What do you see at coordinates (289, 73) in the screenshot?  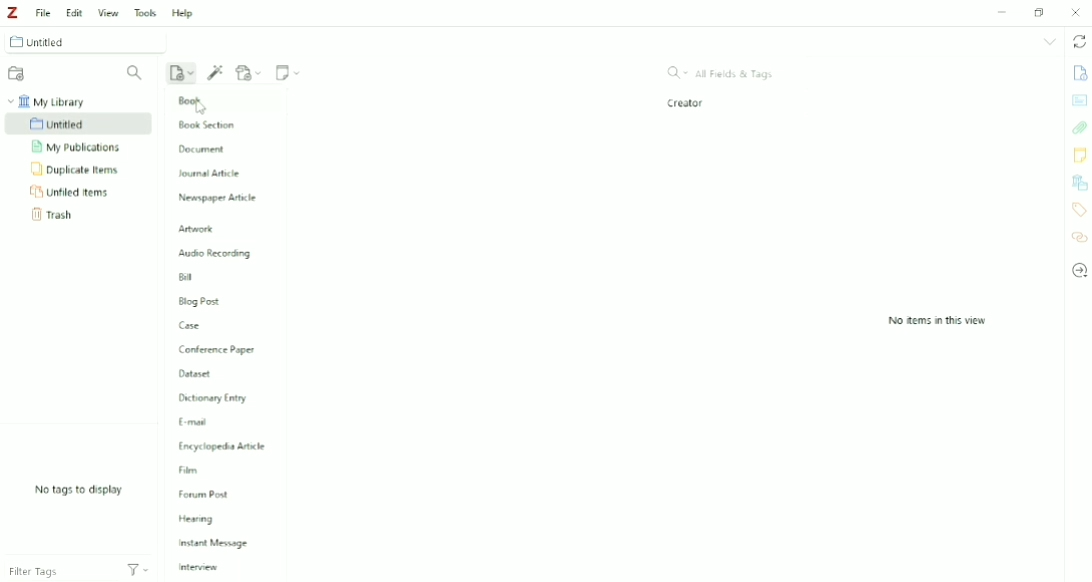 I see `New Note` at bounding box center [289, 73].